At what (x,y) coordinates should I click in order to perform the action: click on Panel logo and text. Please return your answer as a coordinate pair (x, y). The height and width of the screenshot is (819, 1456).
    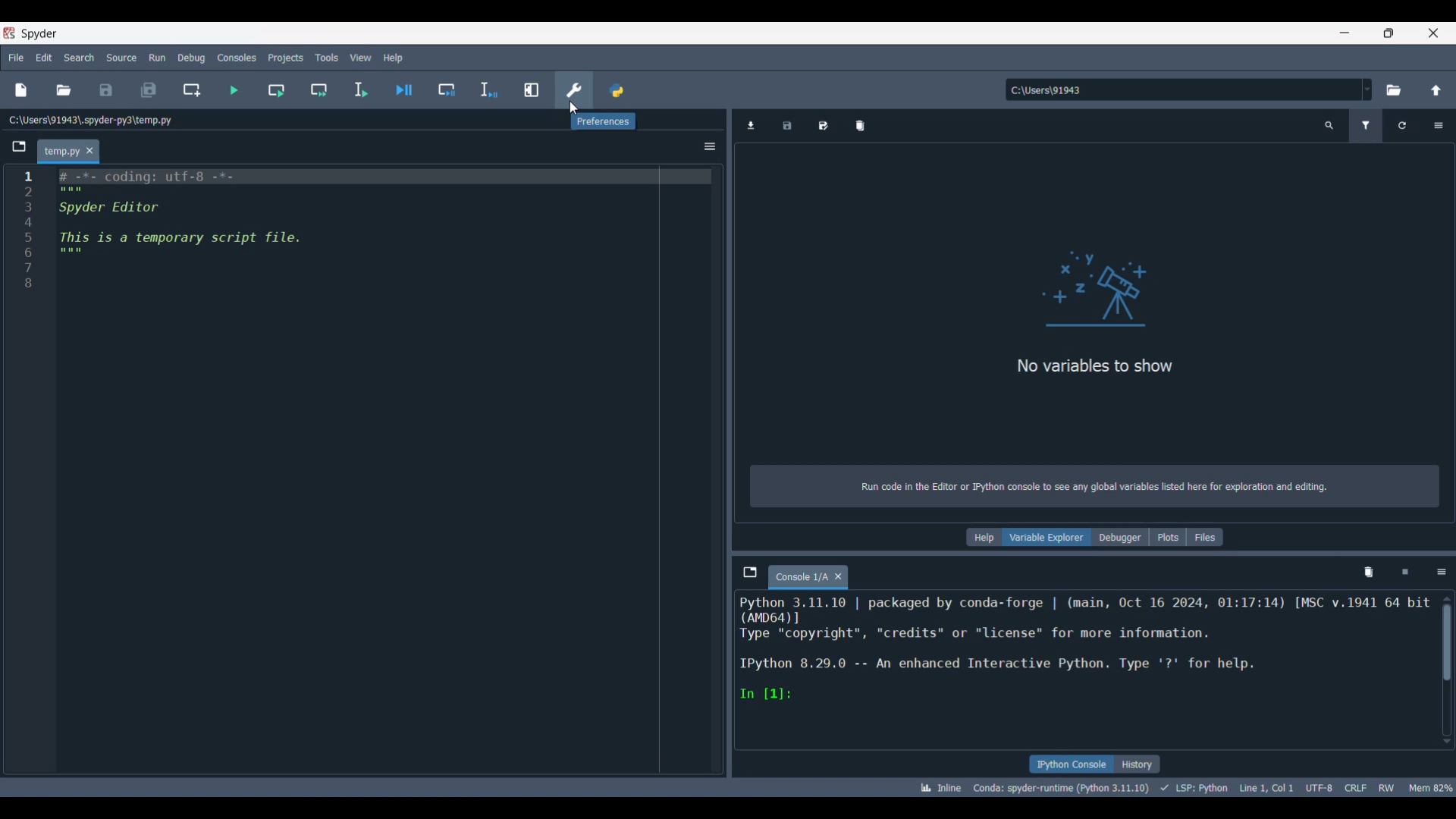
    Looking at the image, I should click on (1095, 377).